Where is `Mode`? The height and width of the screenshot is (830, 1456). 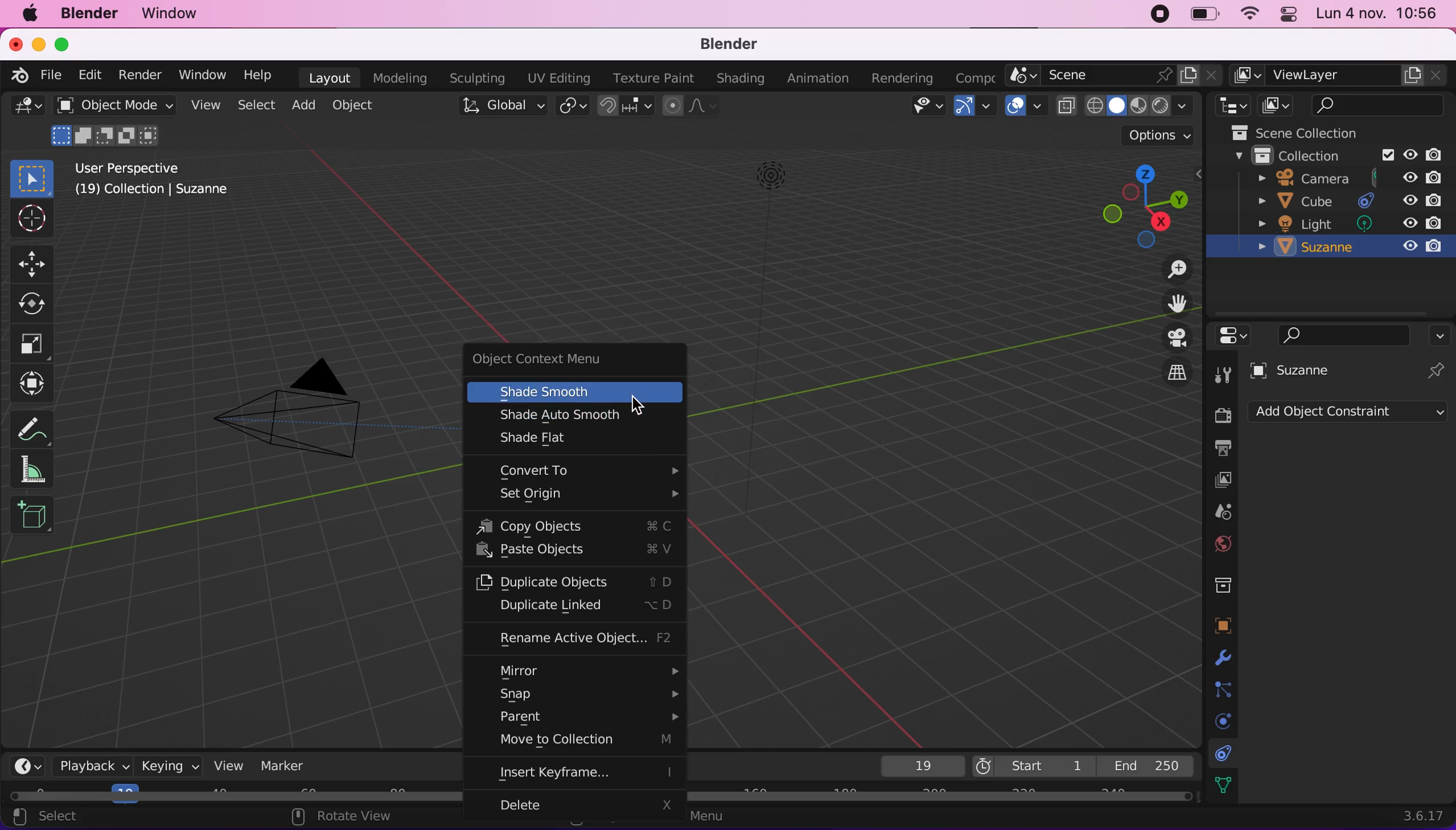
Mode is located at coordinates (106, 135).